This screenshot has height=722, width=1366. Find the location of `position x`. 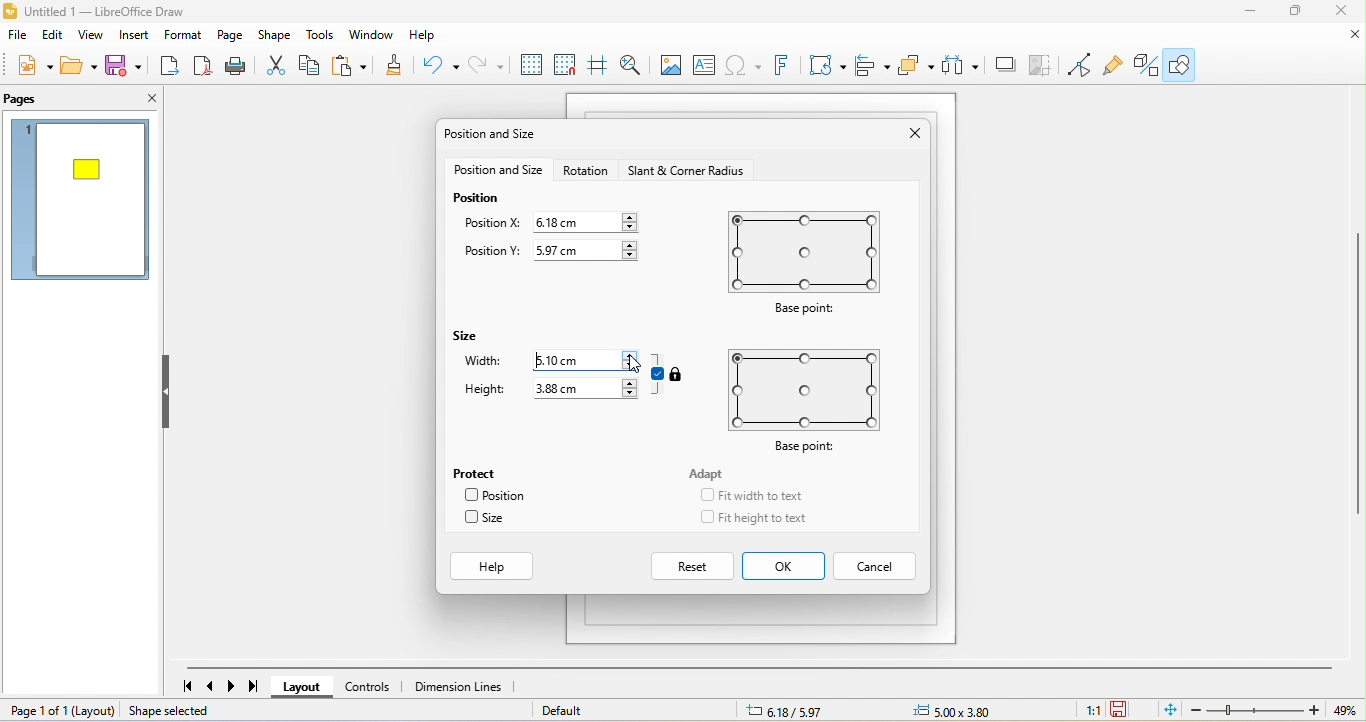

position x is located at coordinates (490, 225).